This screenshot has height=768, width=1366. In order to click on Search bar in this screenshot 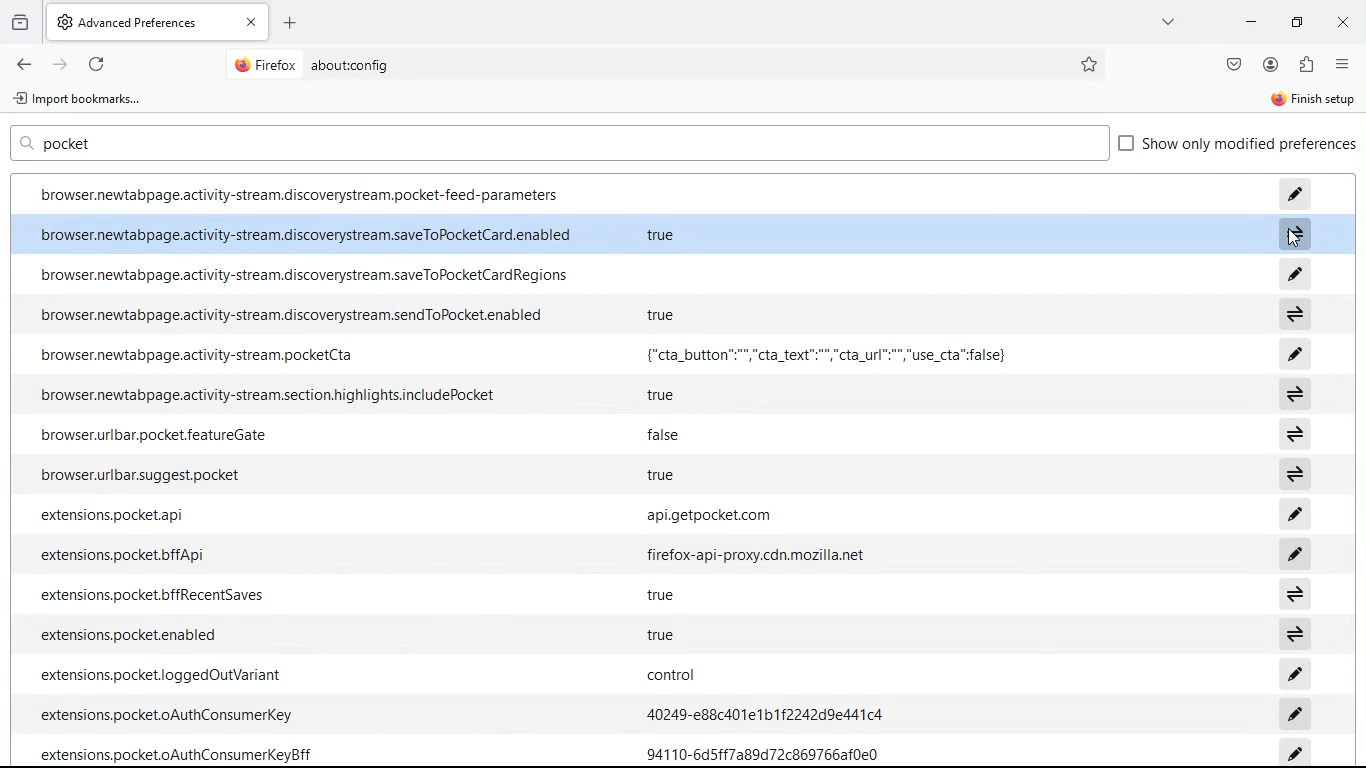, I will do `click(658, 65)`.